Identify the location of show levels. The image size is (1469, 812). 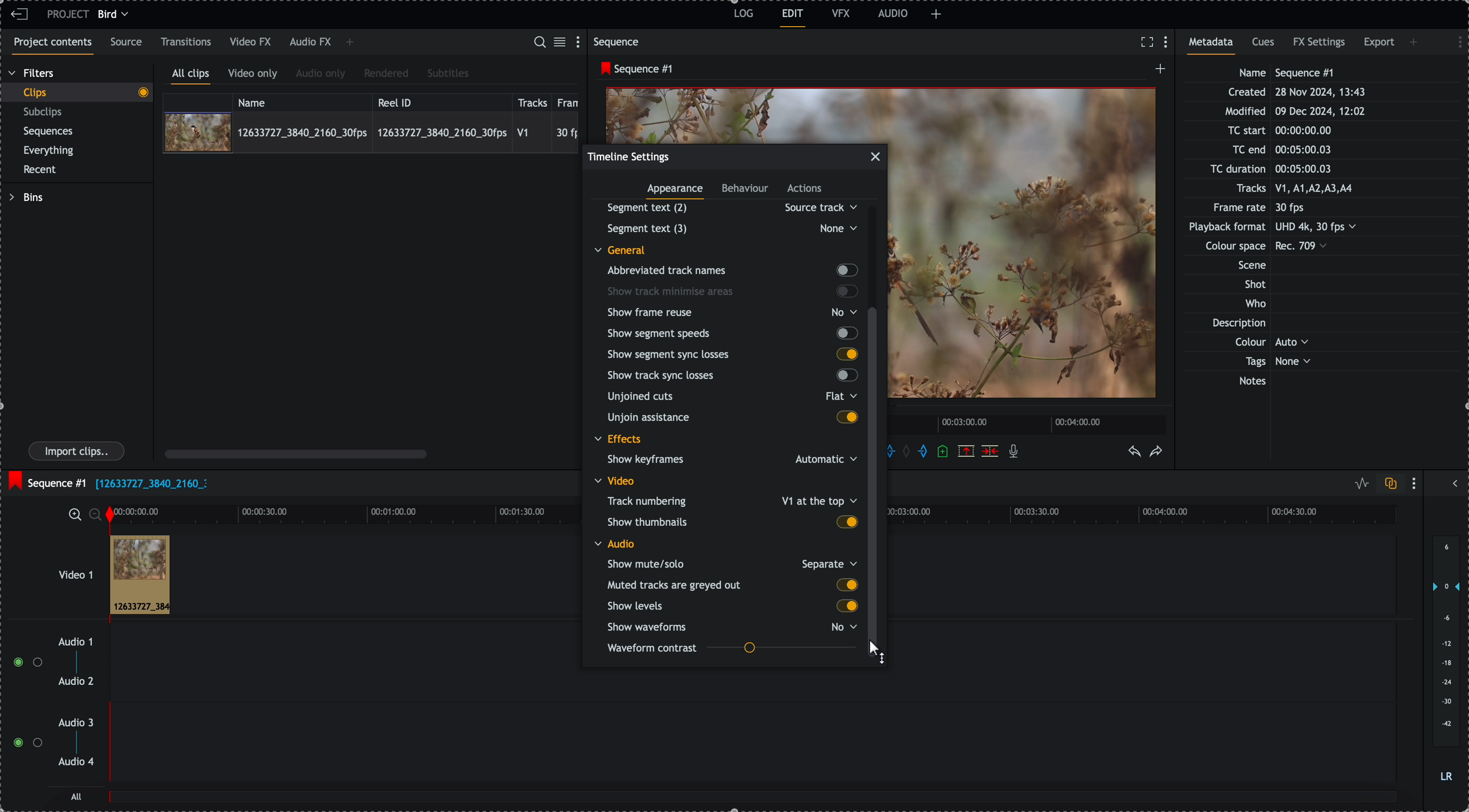
(730, 606).